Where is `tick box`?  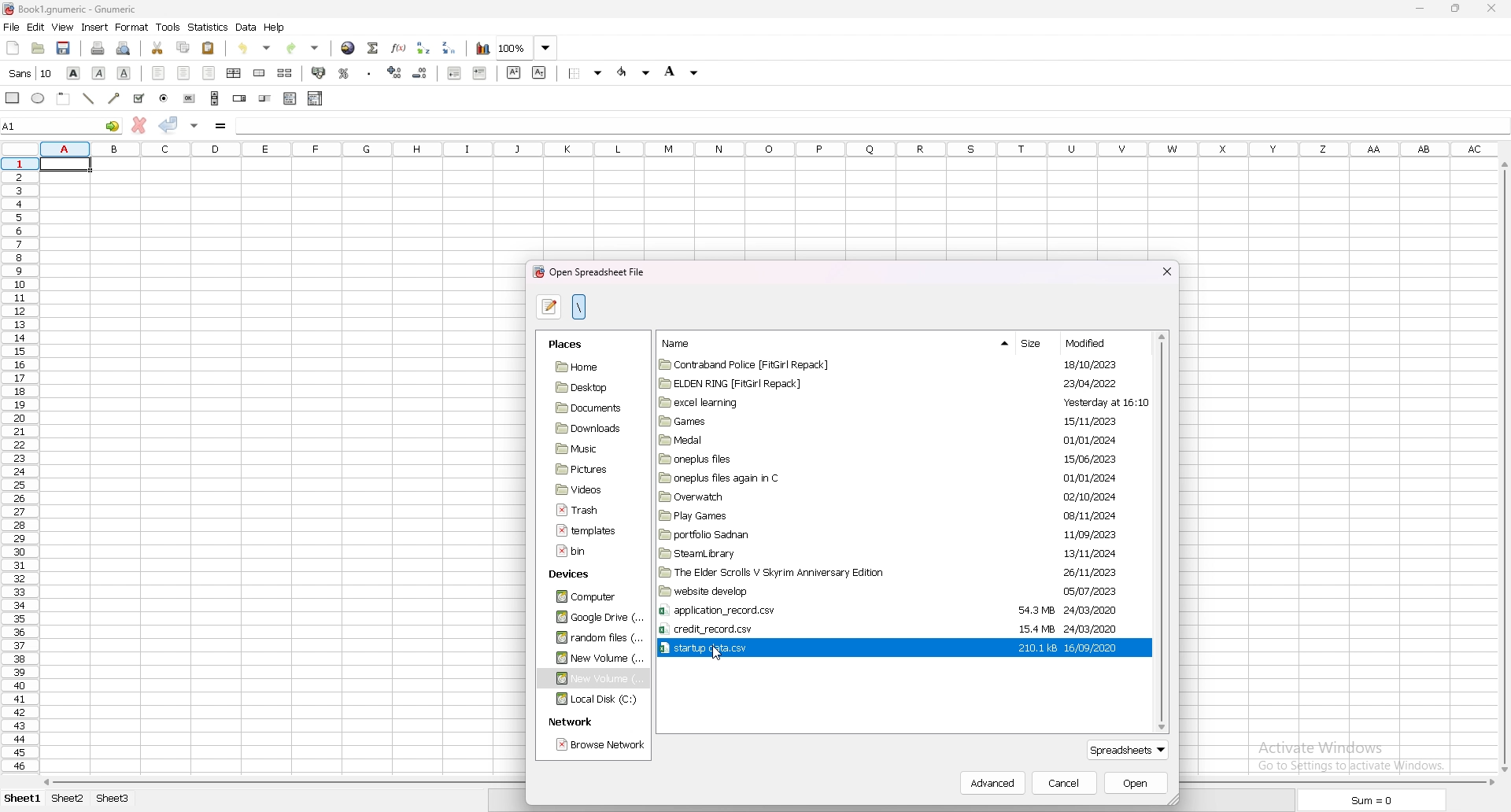
tick box is located at coordinates (139, 98).